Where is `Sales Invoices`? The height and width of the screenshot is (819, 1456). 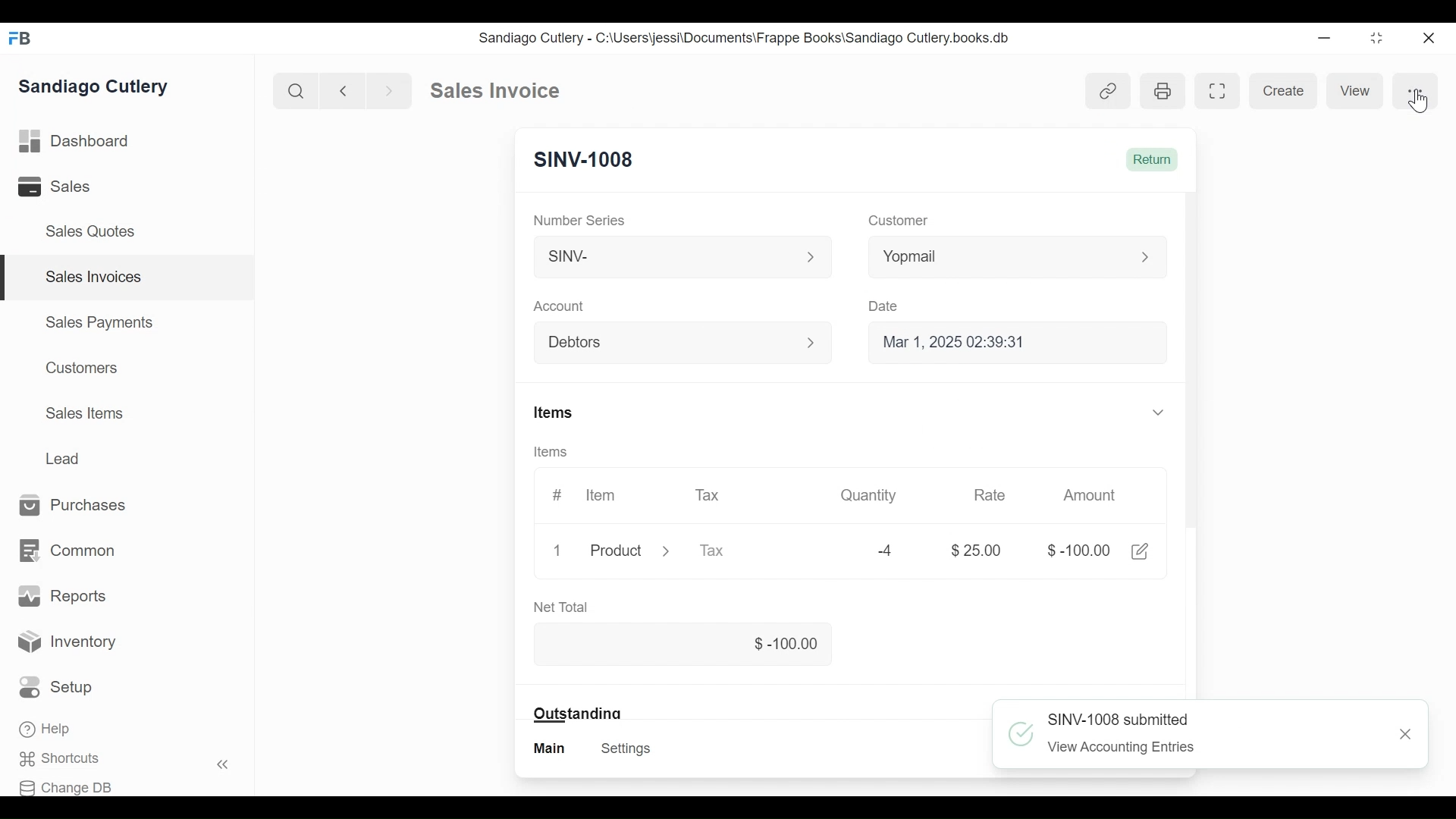 Sales Invoices is located at coordinates (95, 277).